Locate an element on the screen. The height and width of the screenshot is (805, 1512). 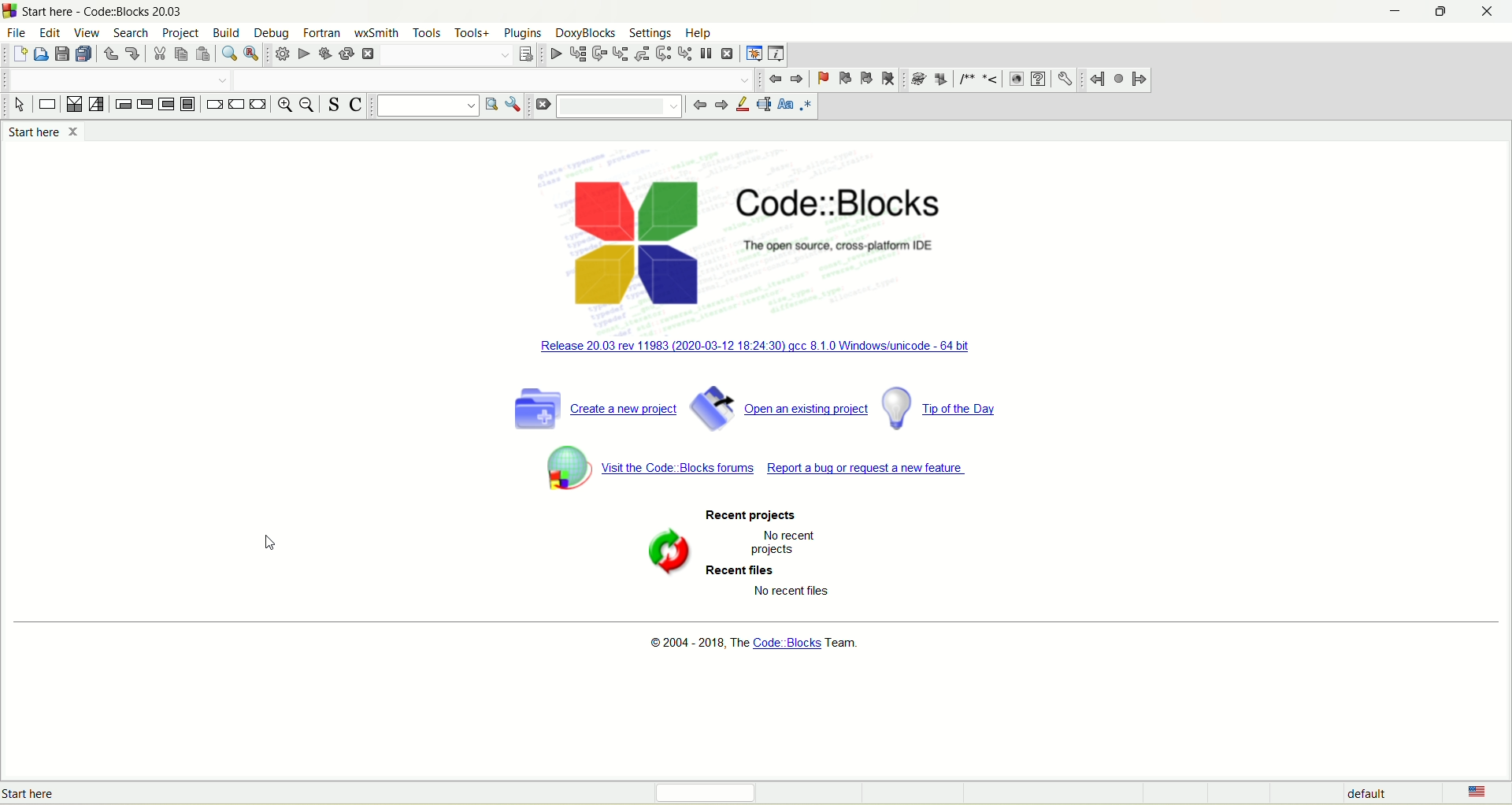
build is located at coordinates (281, 54).